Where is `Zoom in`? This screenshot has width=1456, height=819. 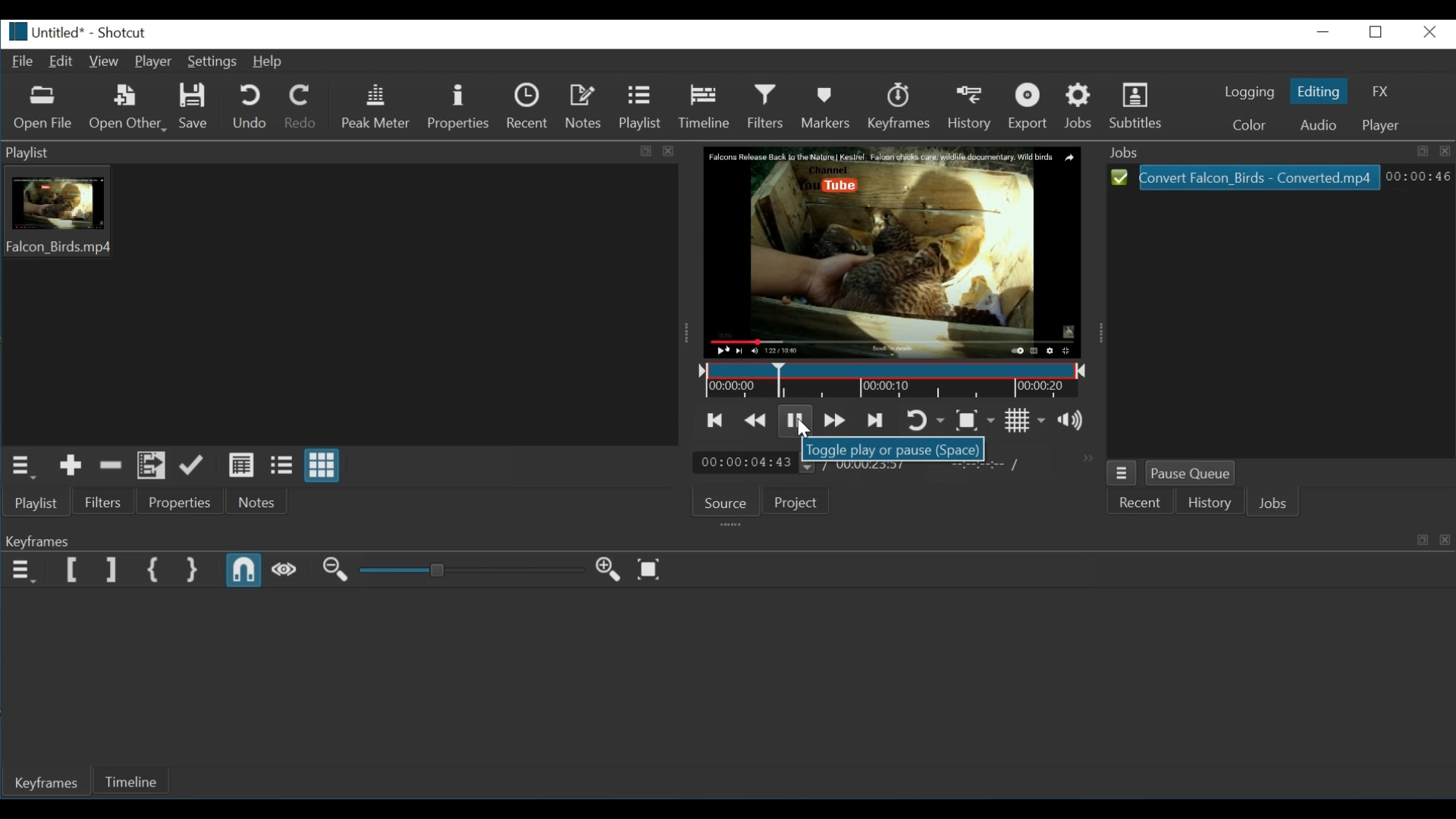
Zoom in is located at coordinates (335, 571).